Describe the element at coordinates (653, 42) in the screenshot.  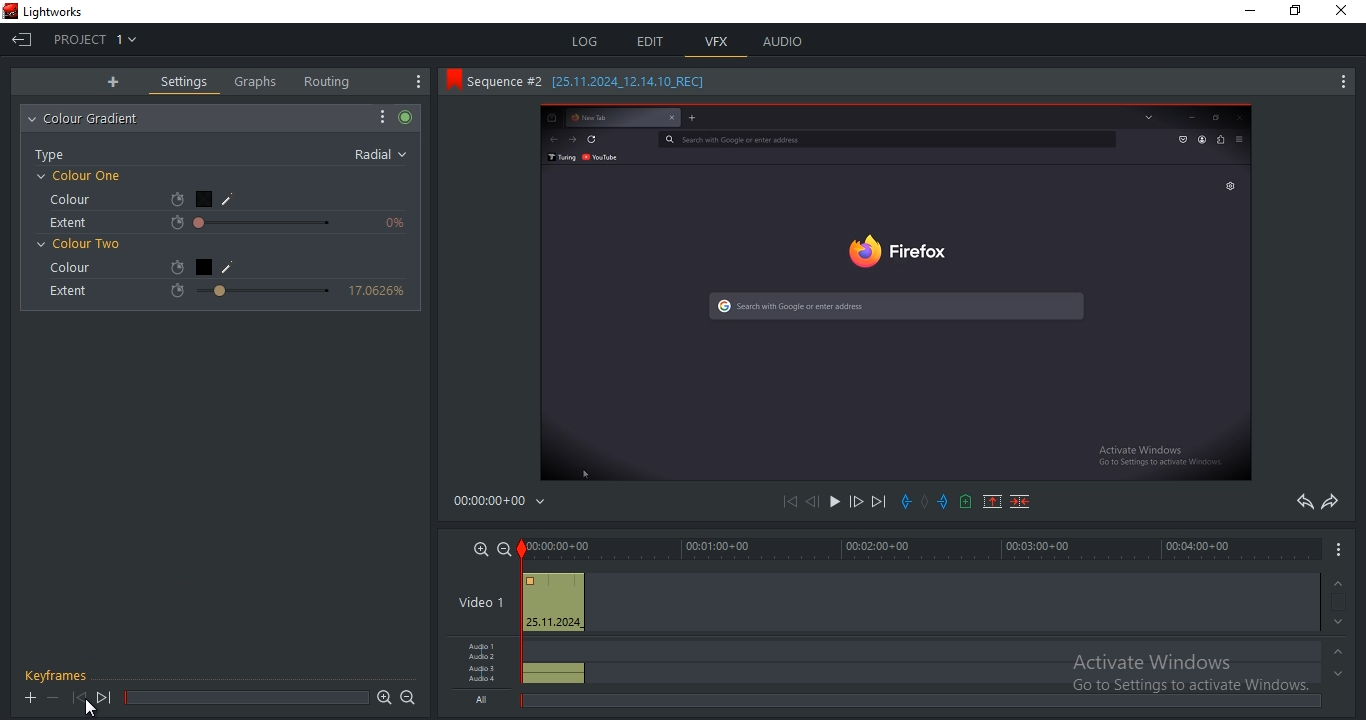
I see `edit` at that location.